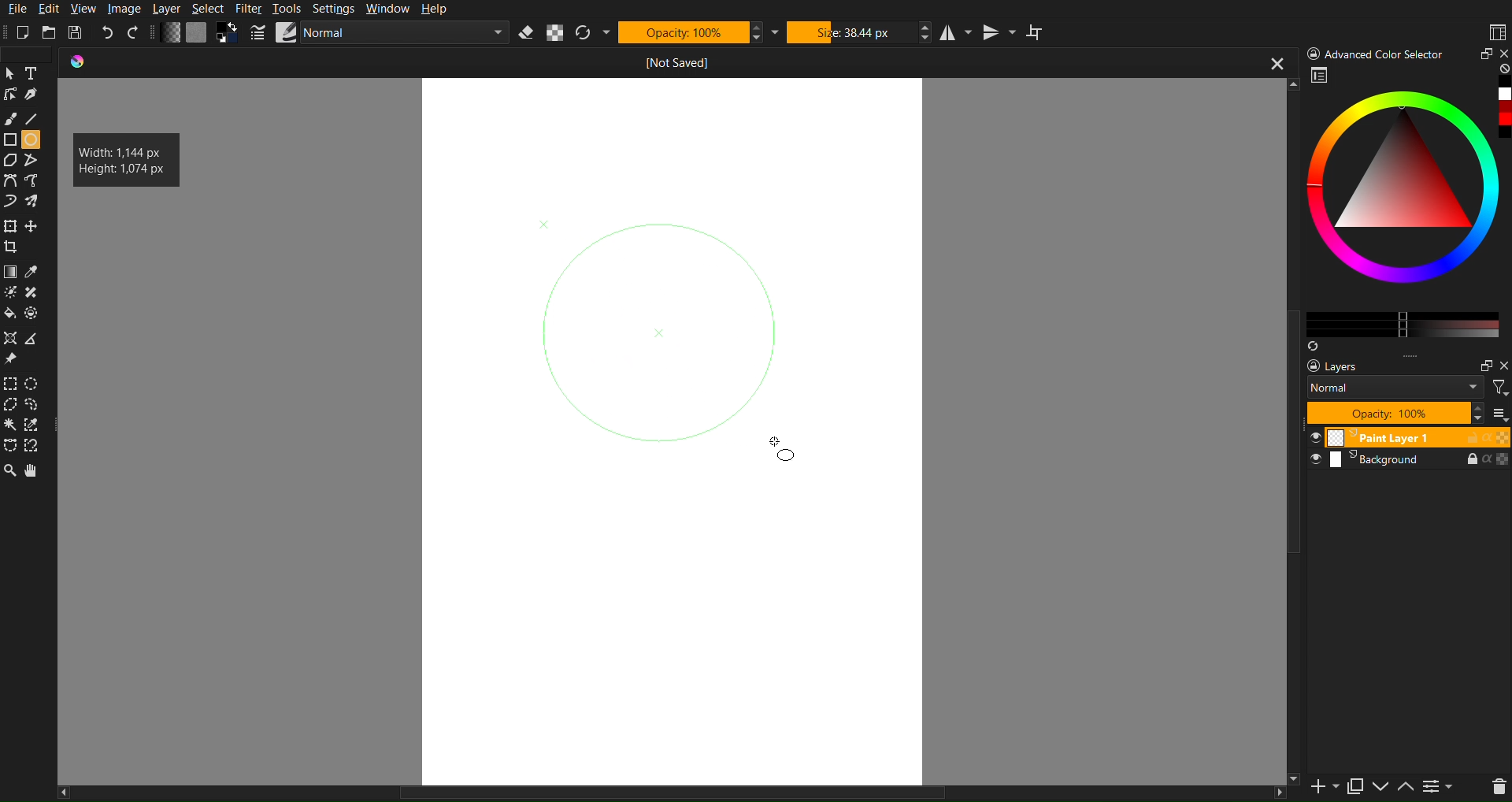 Image resolution: width=1512 pixels, height=802 pixels. Describe the element at coordinates (1379, 789) in the screenshot. I see `down` at that location.